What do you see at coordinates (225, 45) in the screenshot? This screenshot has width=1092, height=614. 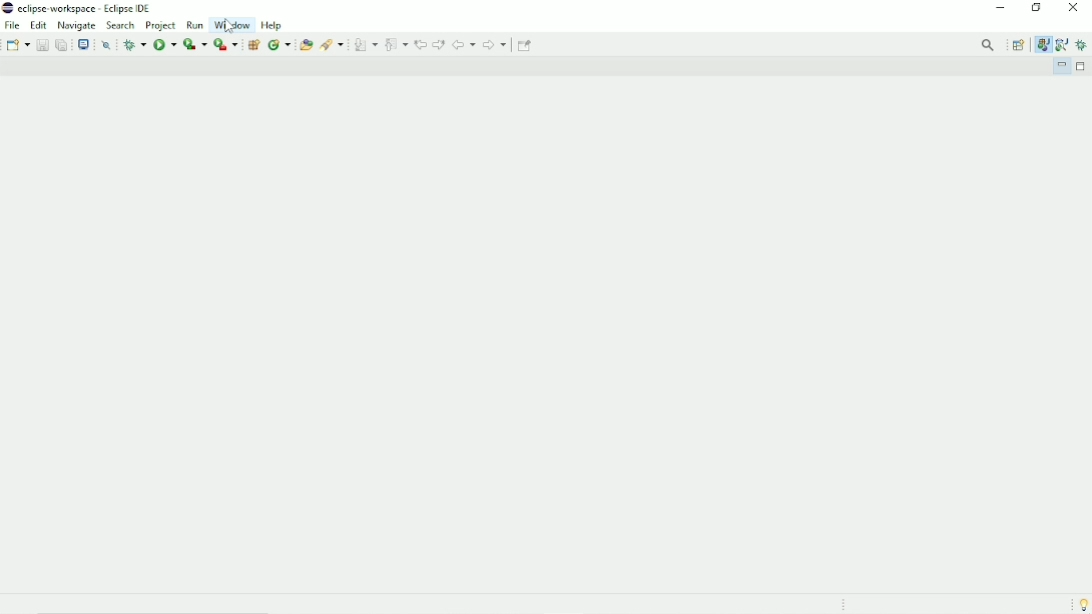 I see `Run last tool` at bounding box center [225, 45].